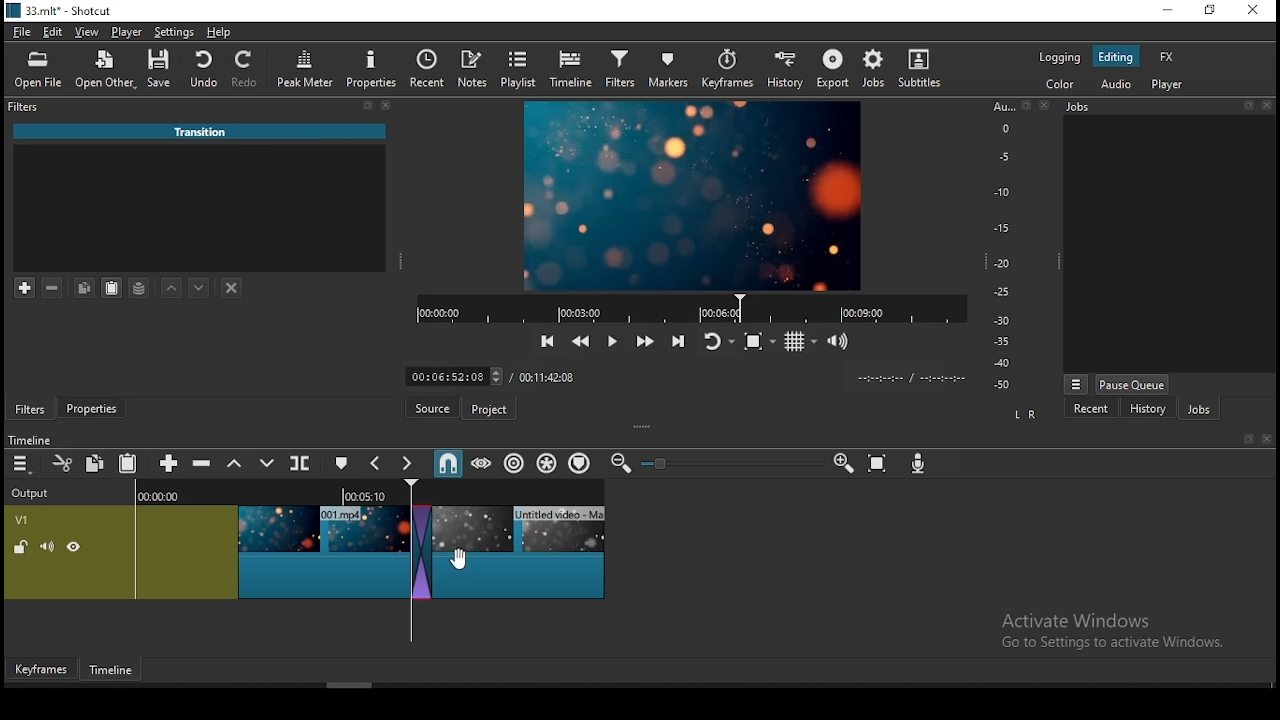 The height and width of the screenshot is (720, 1280). I want to click on logging, so click(1055, 56).